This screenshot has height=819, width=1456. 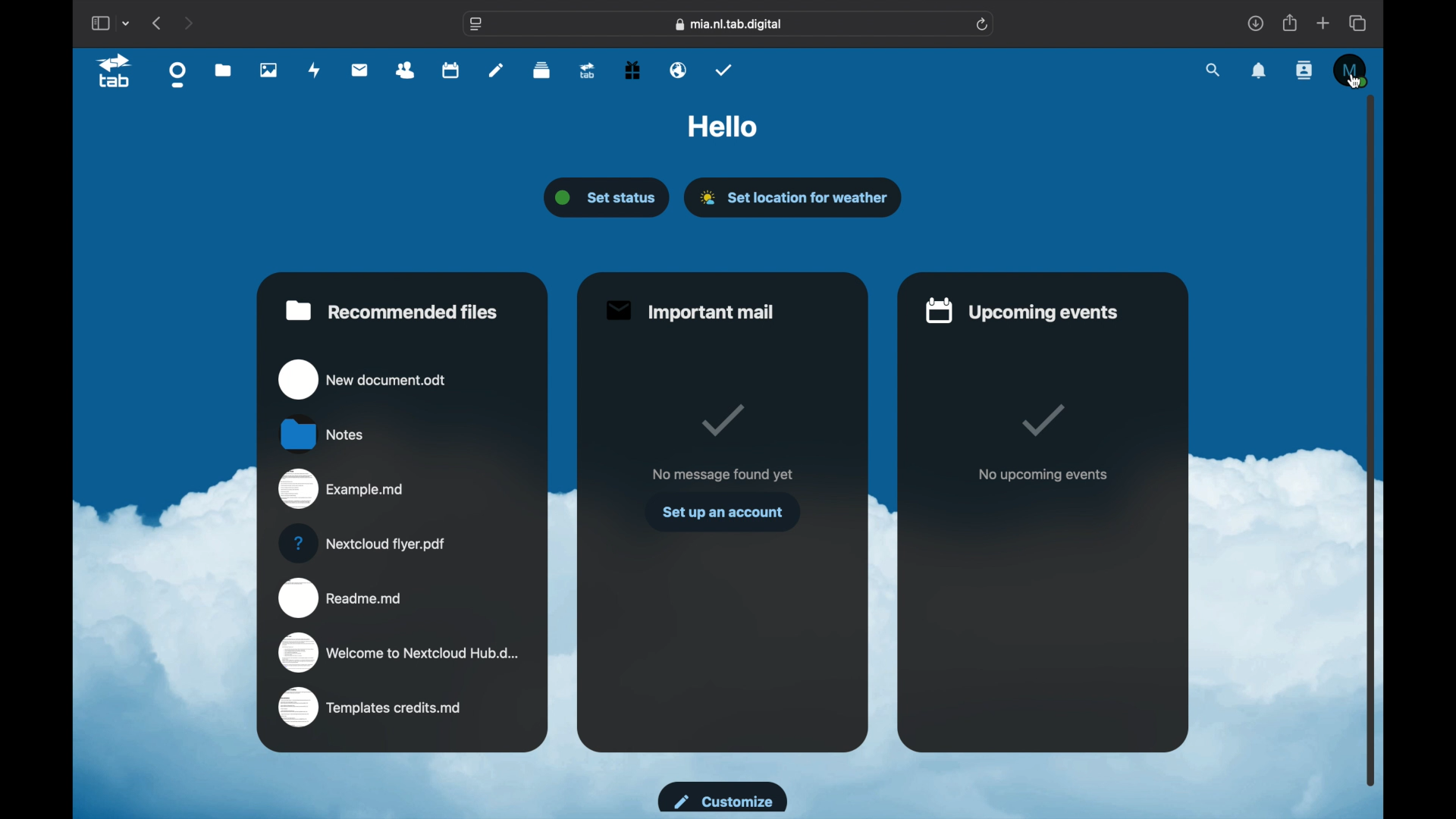 I want to click on share, so click(x=1291, y=23).